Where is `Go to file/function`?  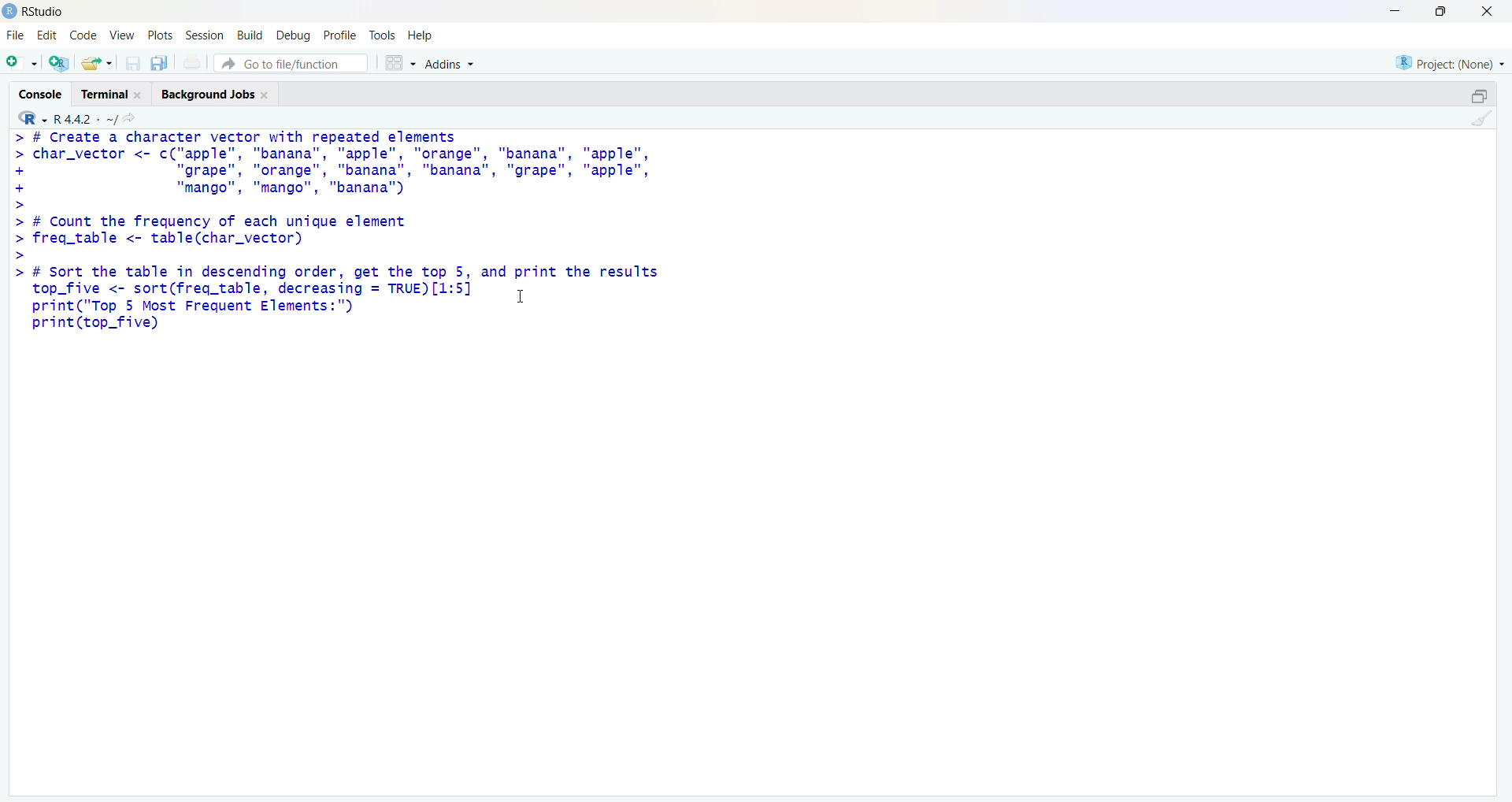
Go to file/function is located at coordinates (292, 63).